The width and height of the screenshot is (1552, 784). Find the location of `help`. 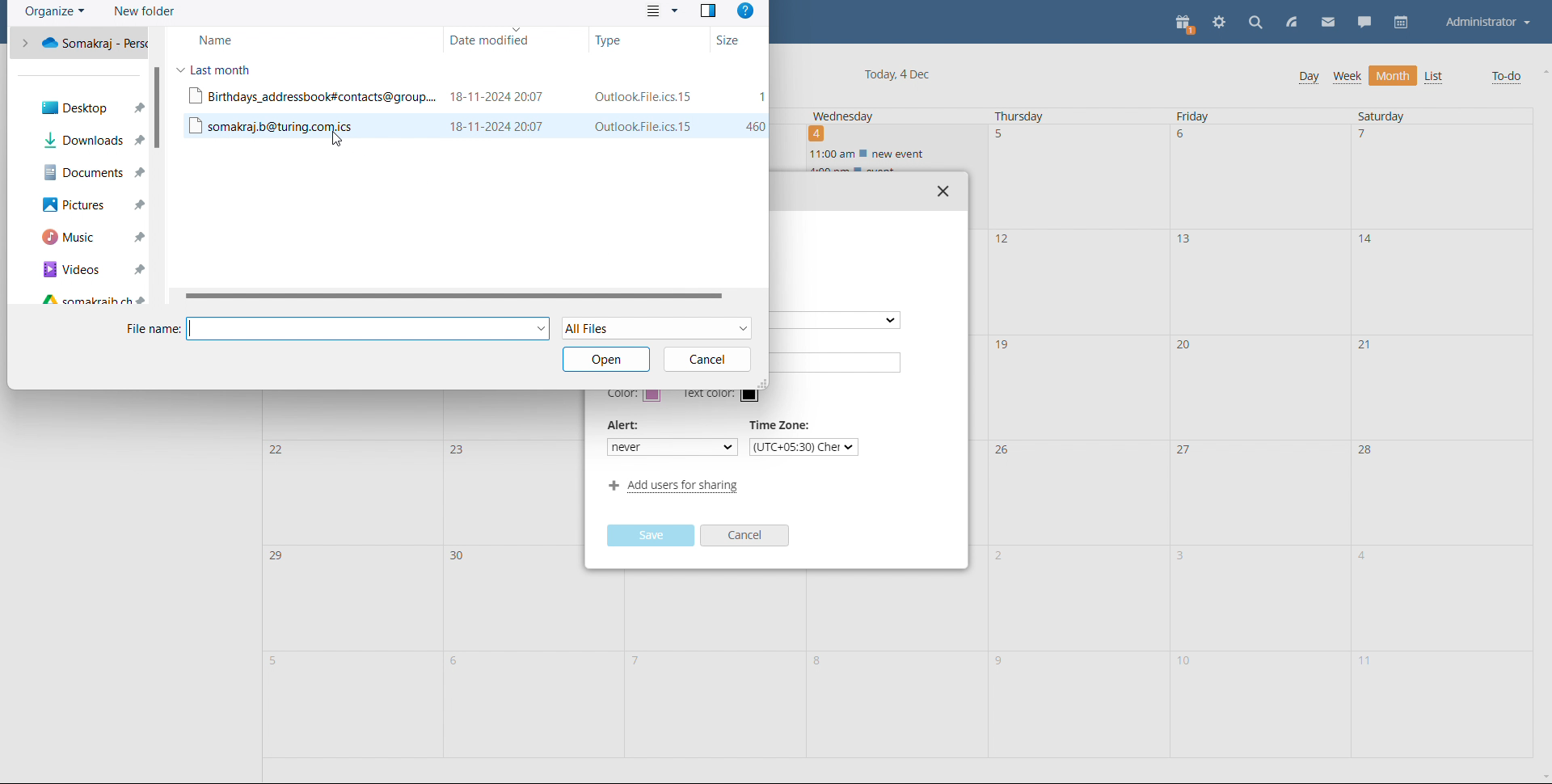

help is located at coordinates (744, 12).